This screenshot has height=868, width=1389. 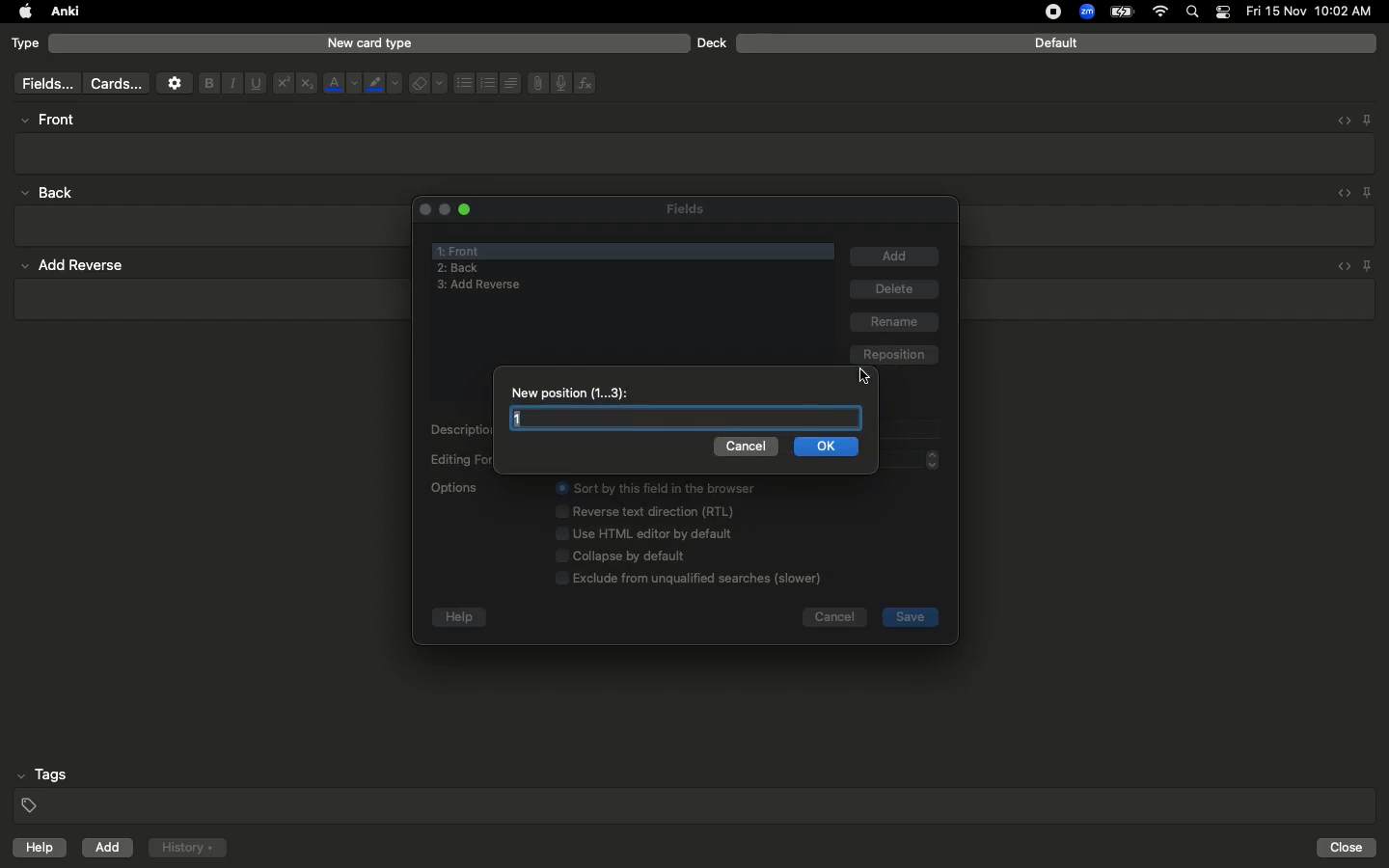 What do you see at coordinates (1340, 194) in the screenshot?
I see `Embed` at bounding box center [1340, 194].